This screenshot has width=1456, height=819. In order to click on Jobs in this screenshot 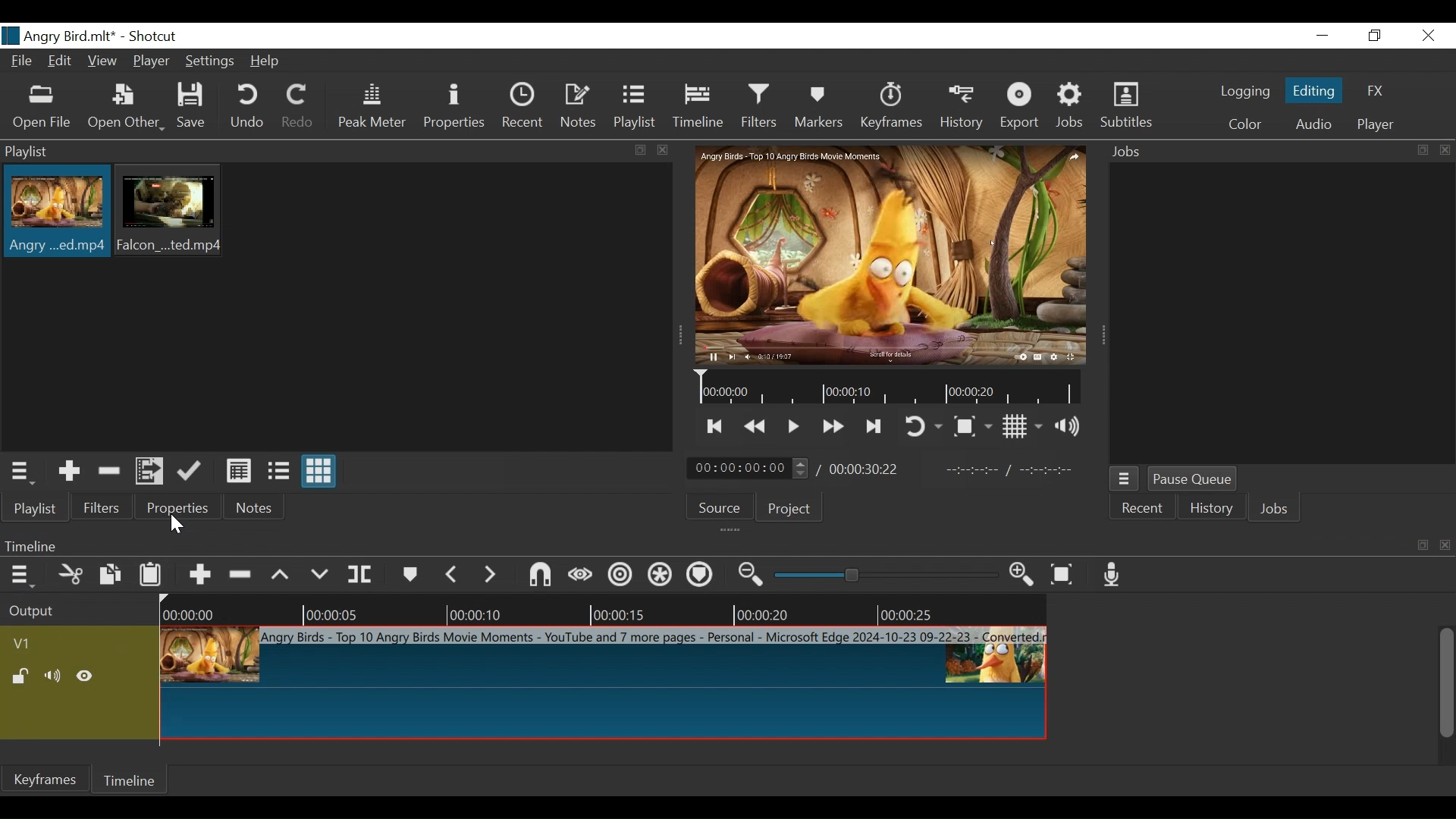, I will do `click(1272, 508)`.